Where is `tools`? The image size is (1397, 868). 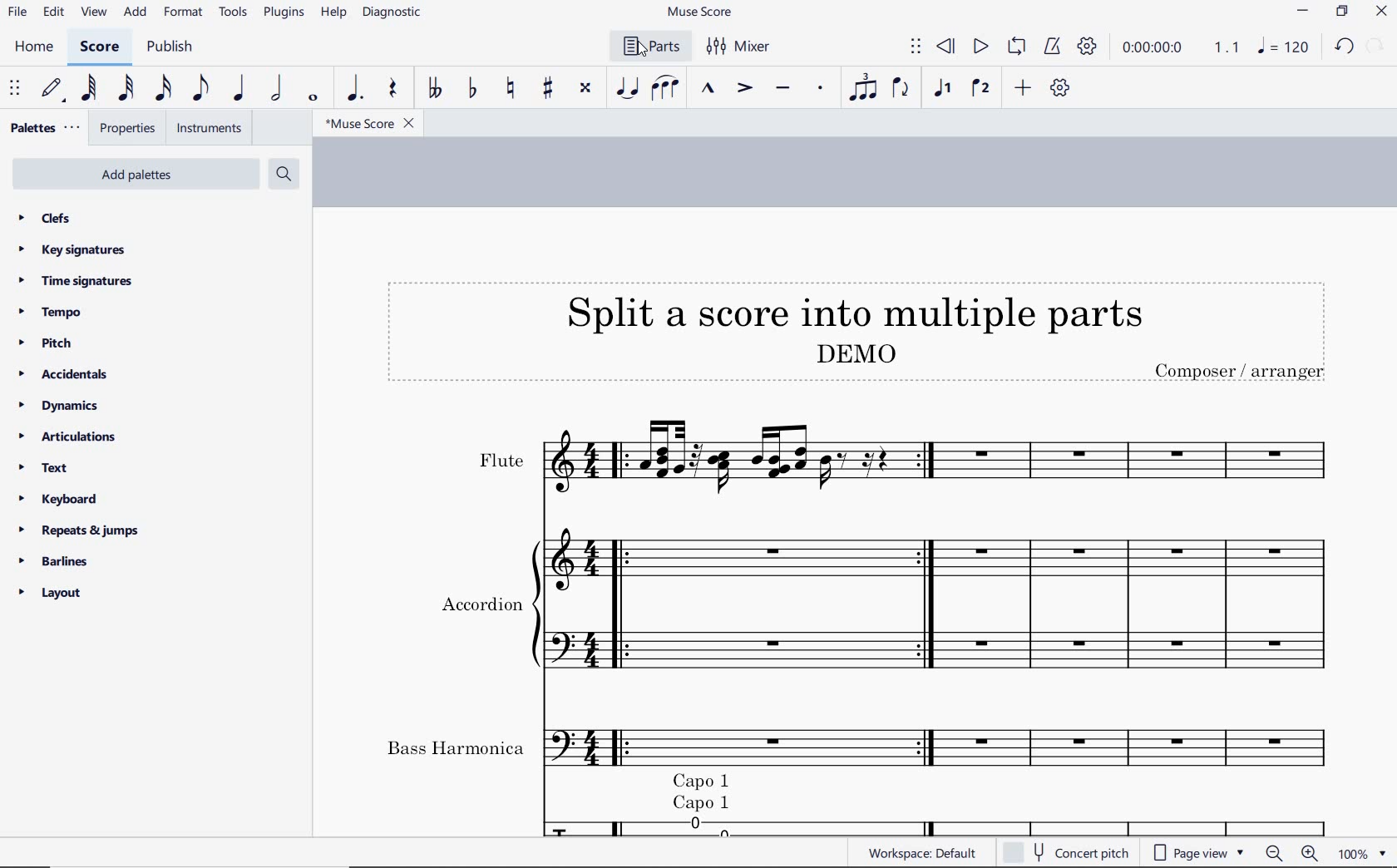
tools is located at coordinates (234, 12).